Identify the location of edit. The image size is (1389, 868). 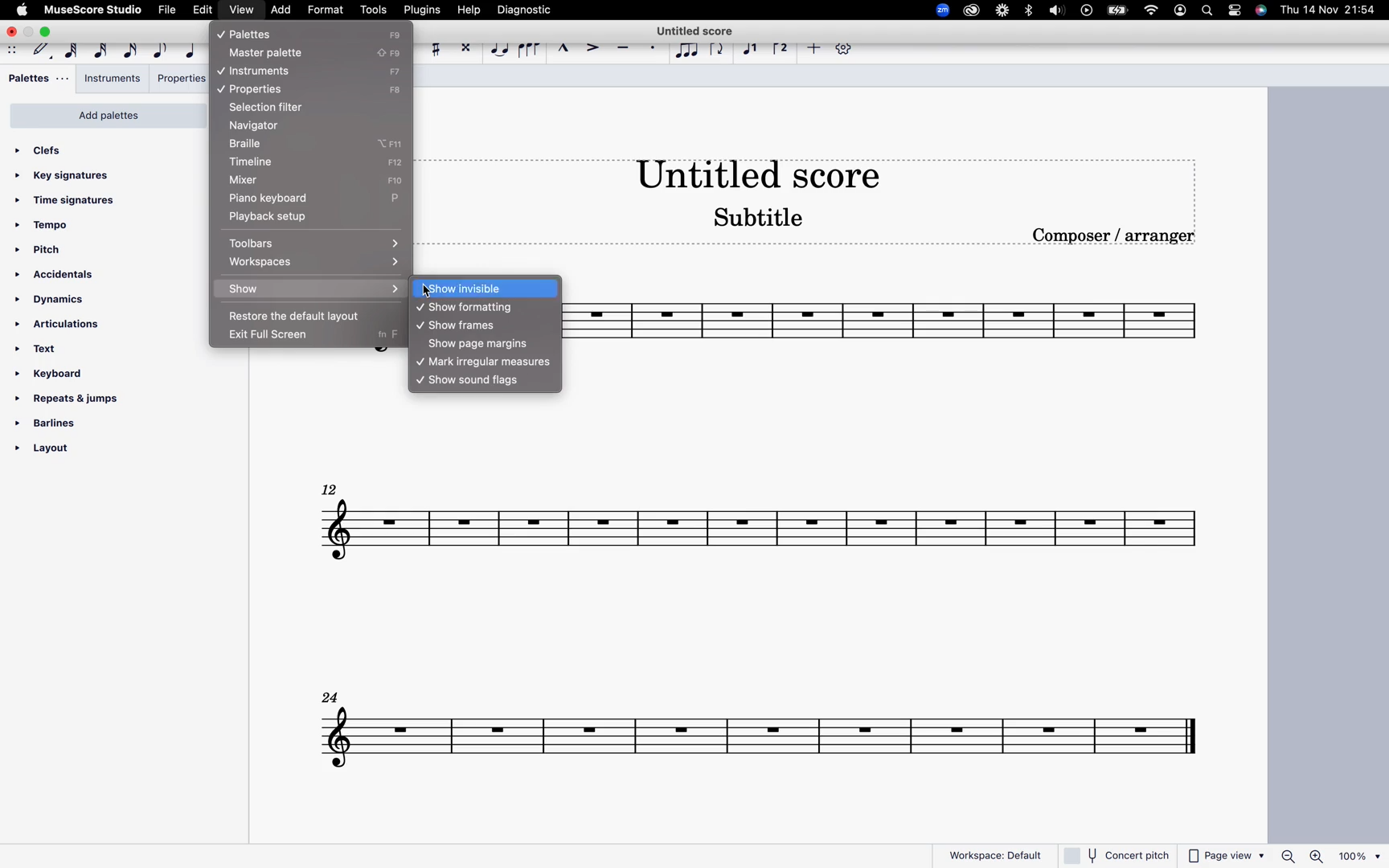
(203, 10).